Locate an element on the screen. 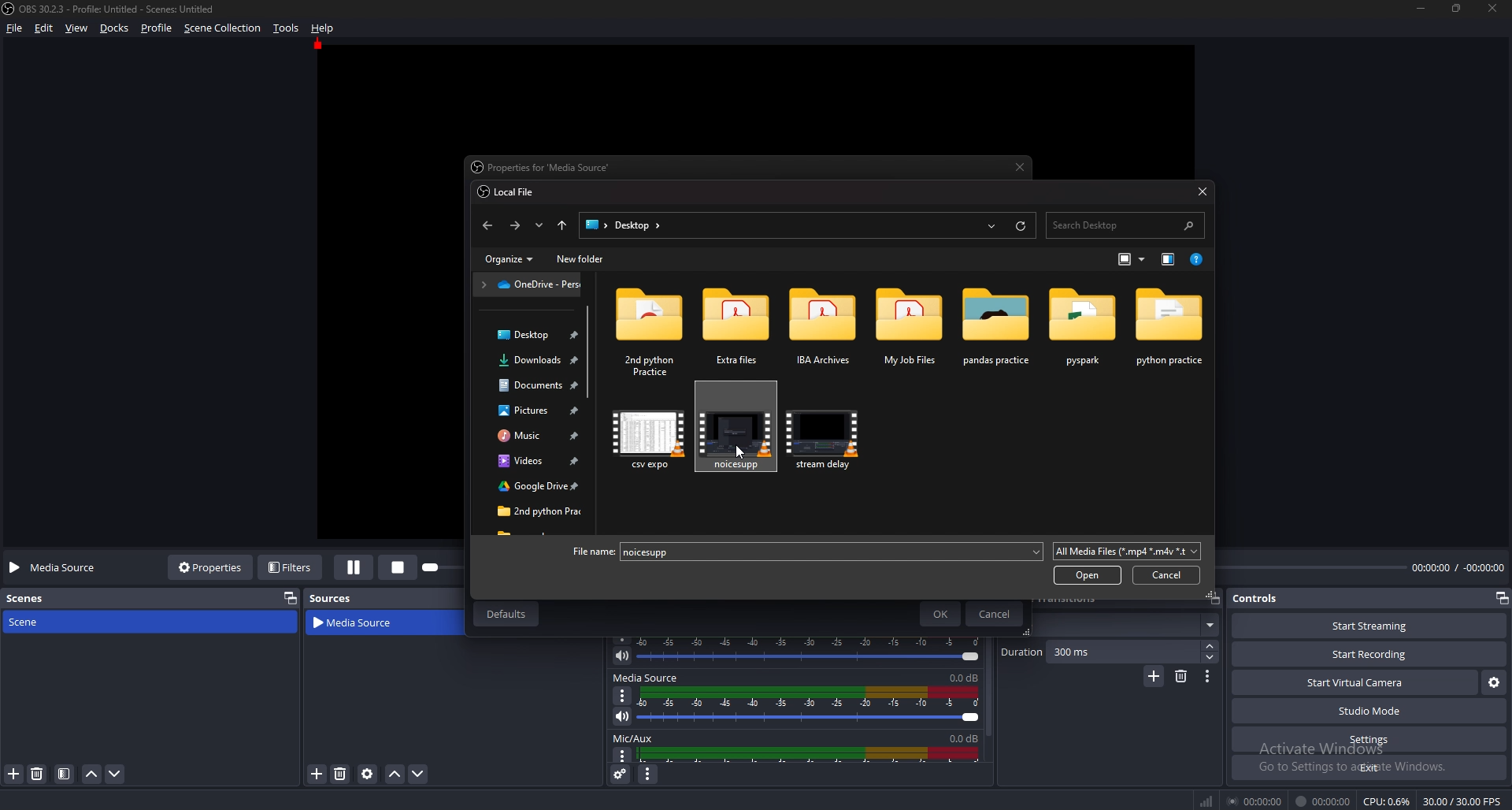 This screenshot has height=810, width=1512.  Audio mixer menu is located at coordinates (647, 775).